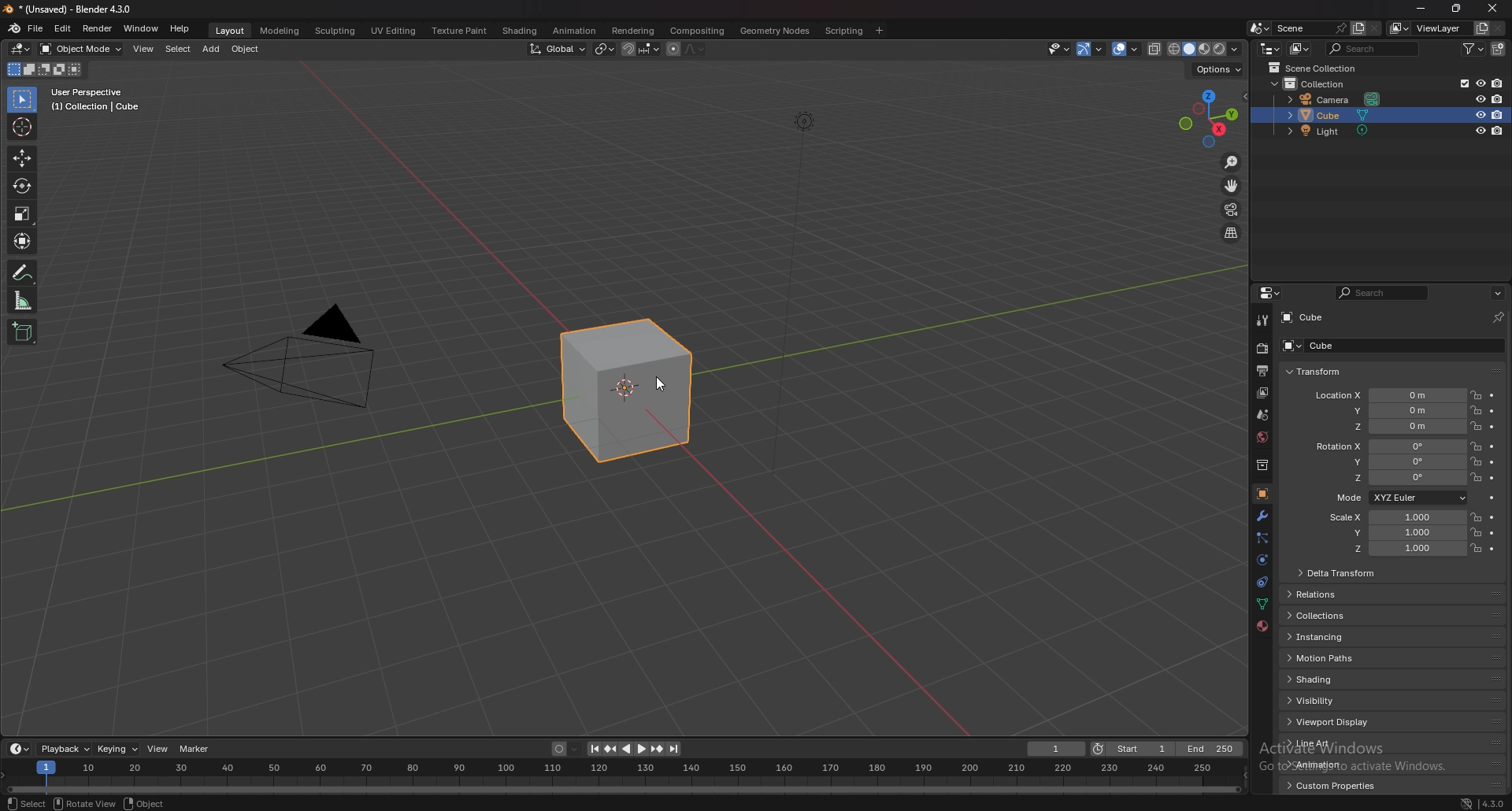 This screenshot has width=1512, height=811. What do you see at coordinates (14, 29) in the screenshot?
I see `blender` at bounding box center [14, 29].